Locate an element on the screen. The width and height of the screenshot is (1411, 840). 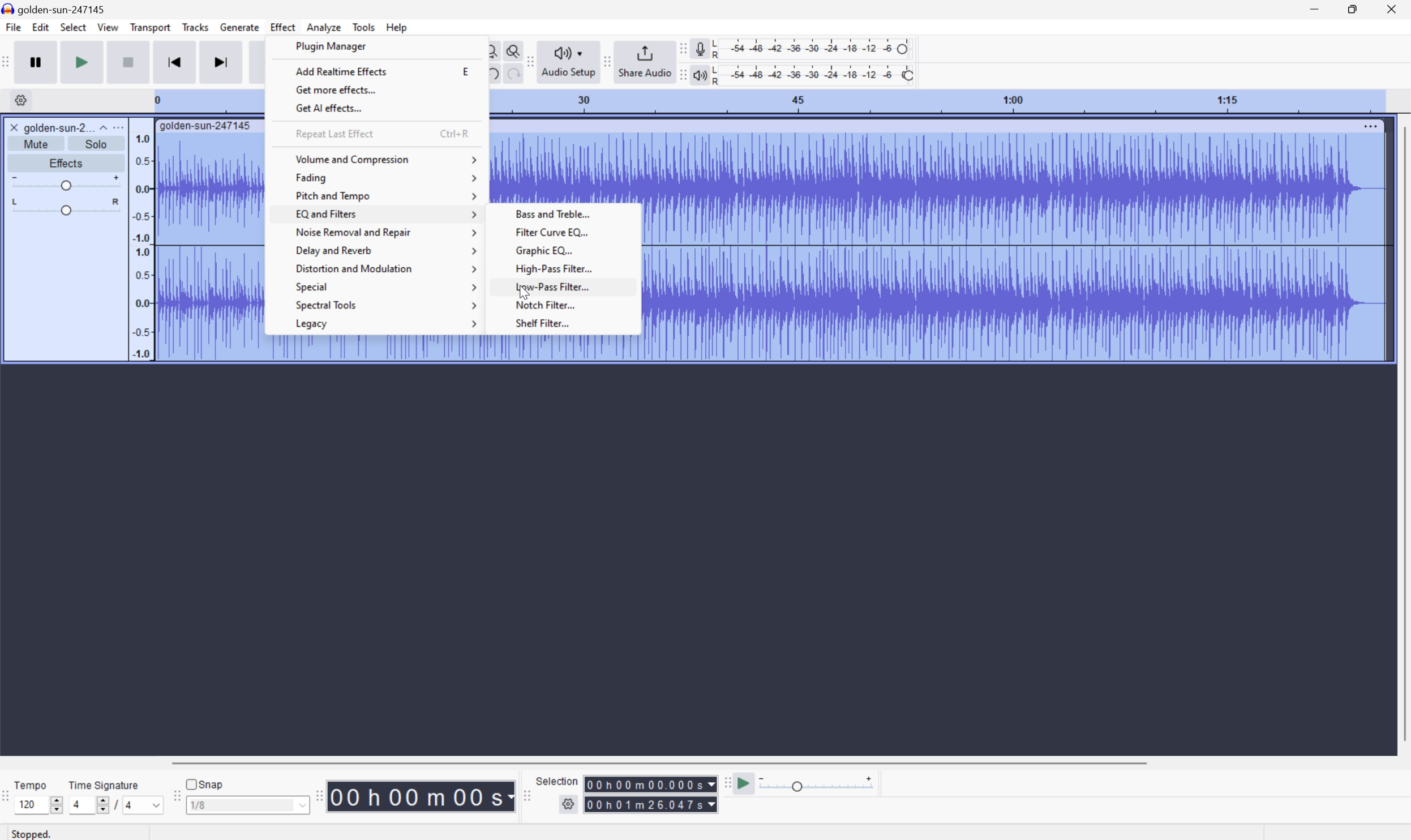
goldensun-247145 is located at coordinates (55, 9).